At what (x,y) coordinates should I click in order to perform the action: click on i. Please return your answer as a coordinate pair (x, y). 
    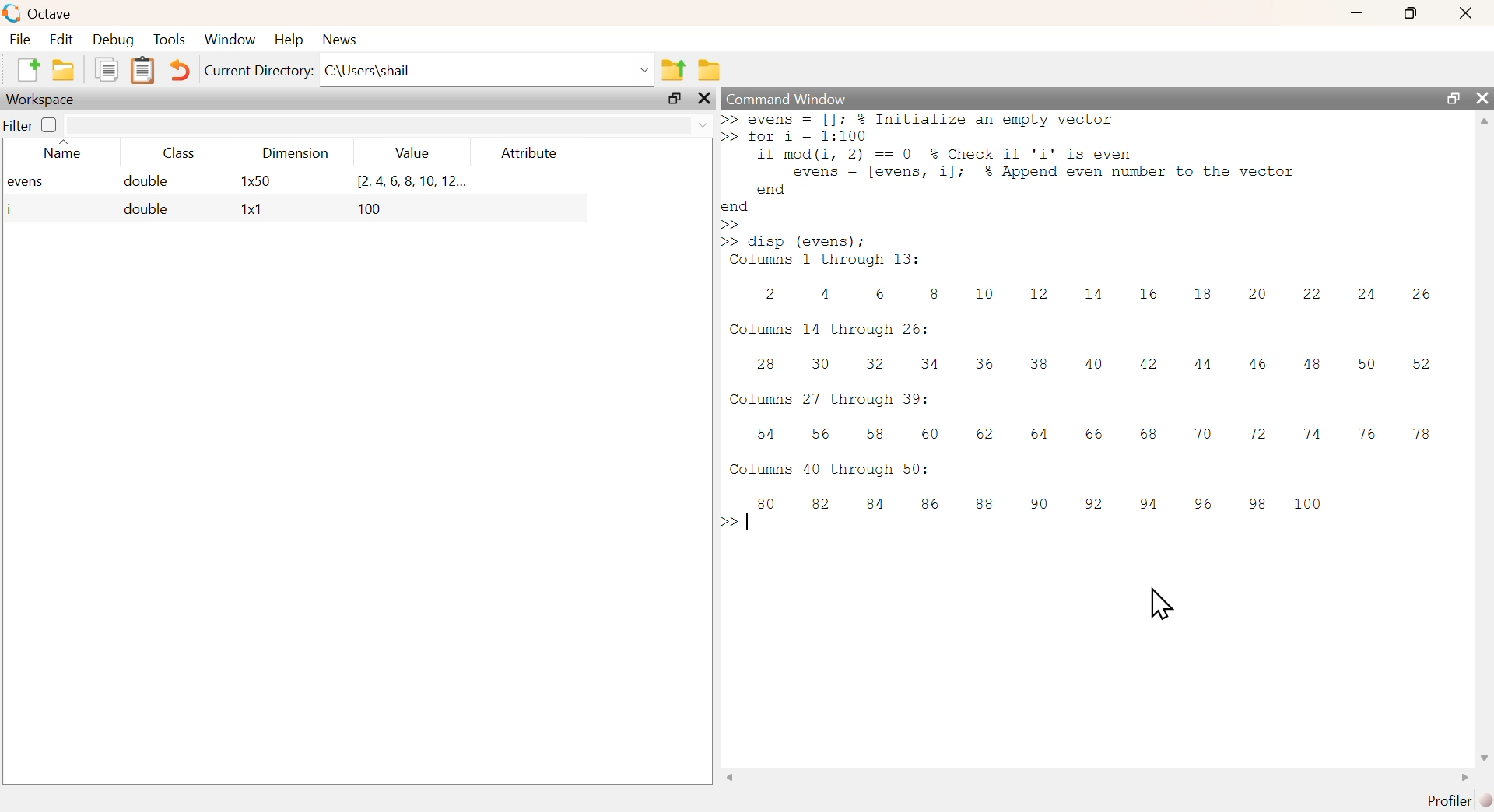
    Looking at the image, I should click on (12, 209).